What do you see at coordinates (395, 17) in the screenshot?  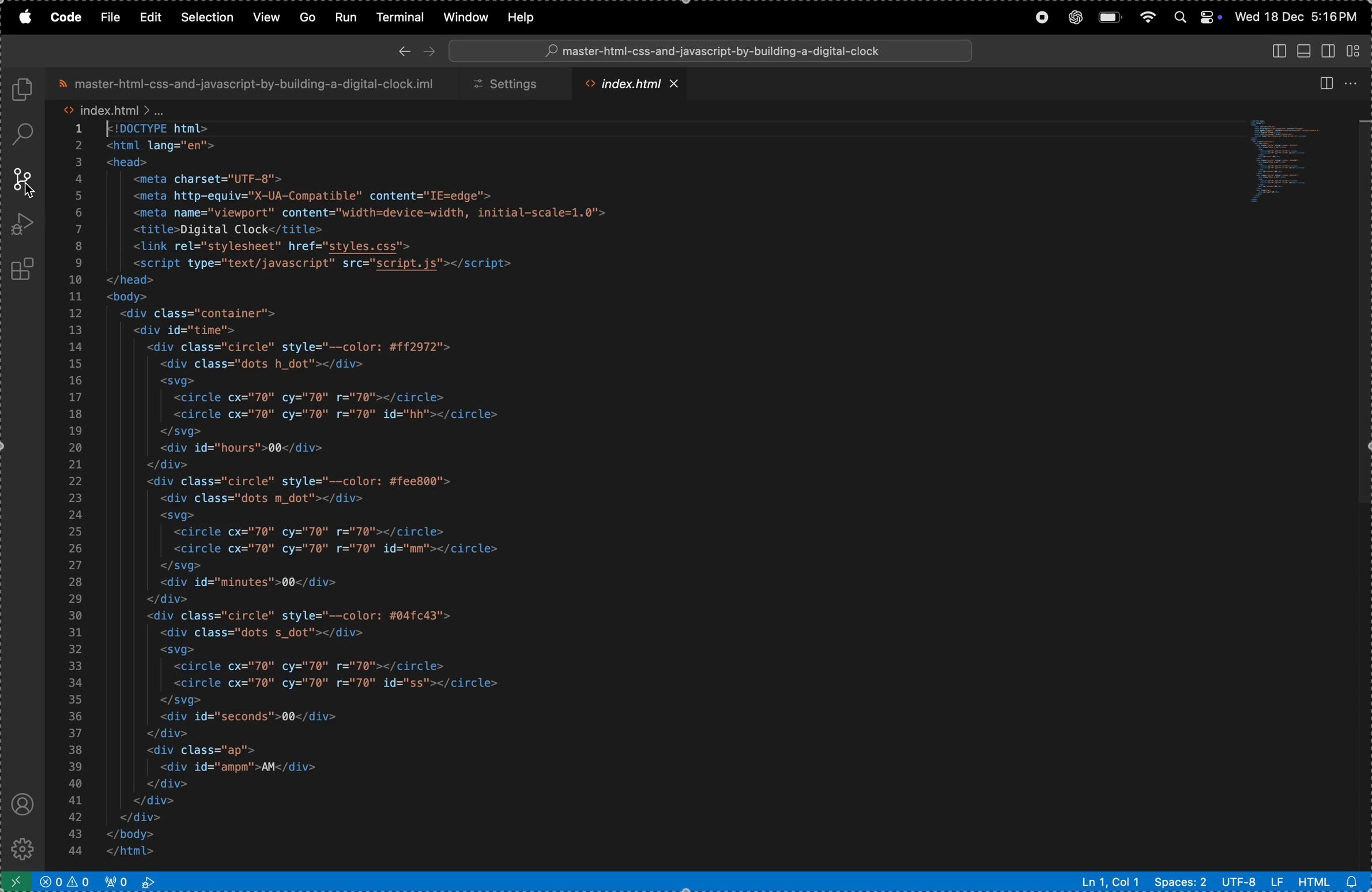 I see `terminal` at bounding box center [395, 17].